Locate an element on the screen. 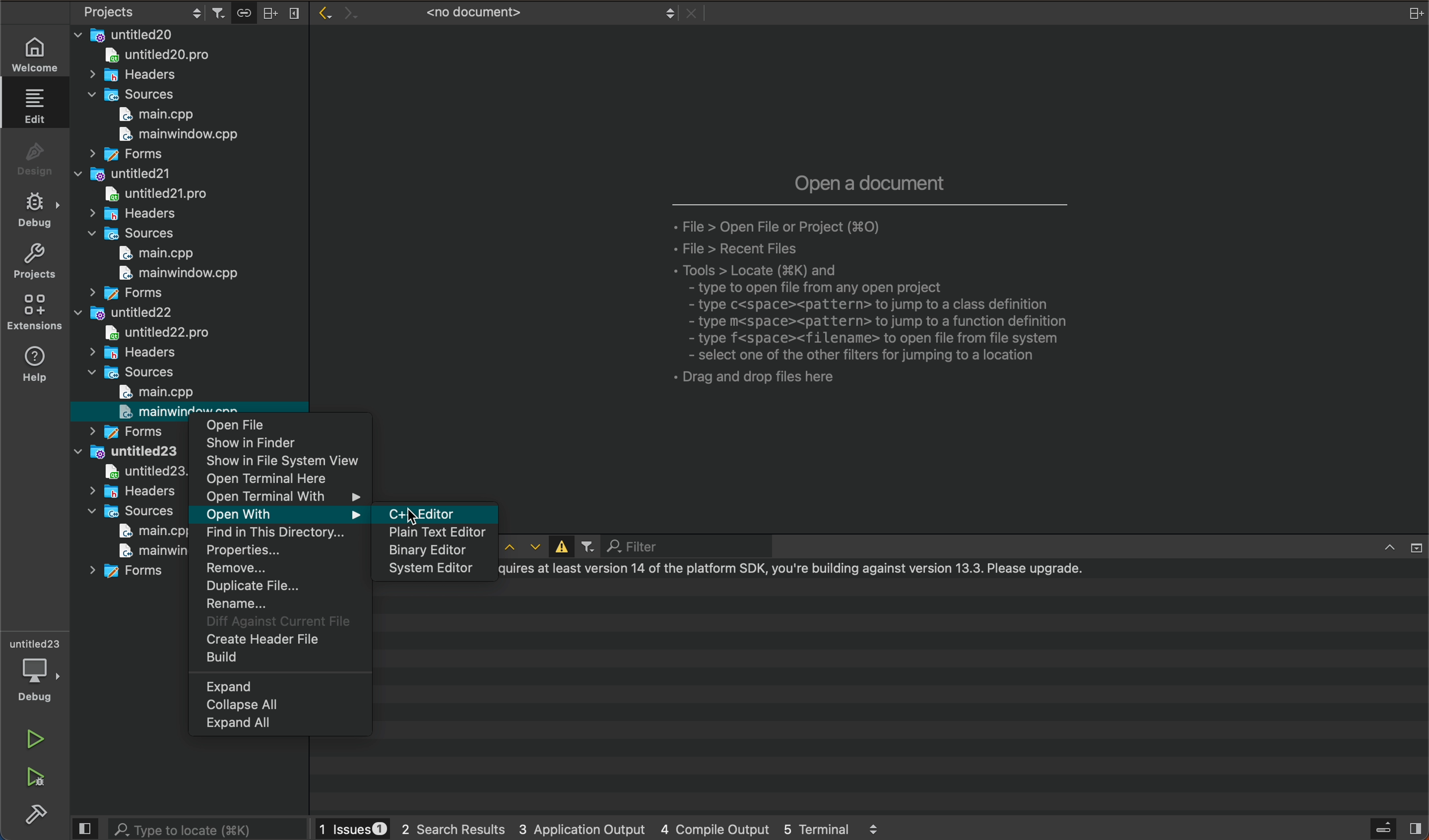 This screenshot has height=840, width=1429. open with is located at coordinates (282, 496).